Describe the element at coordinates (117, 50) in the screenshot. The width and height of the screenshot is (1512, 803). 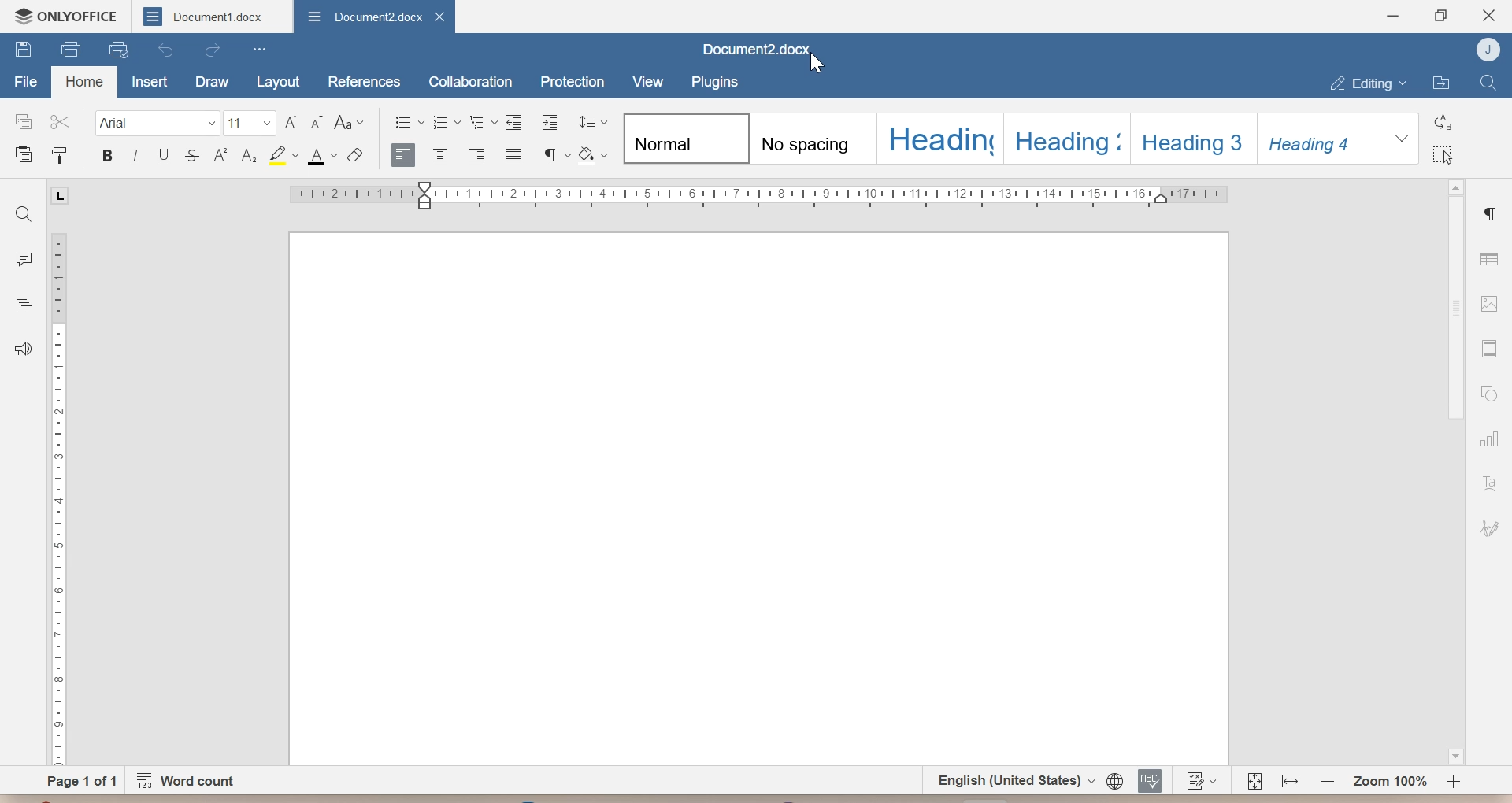
I see `Quick print` at that location.